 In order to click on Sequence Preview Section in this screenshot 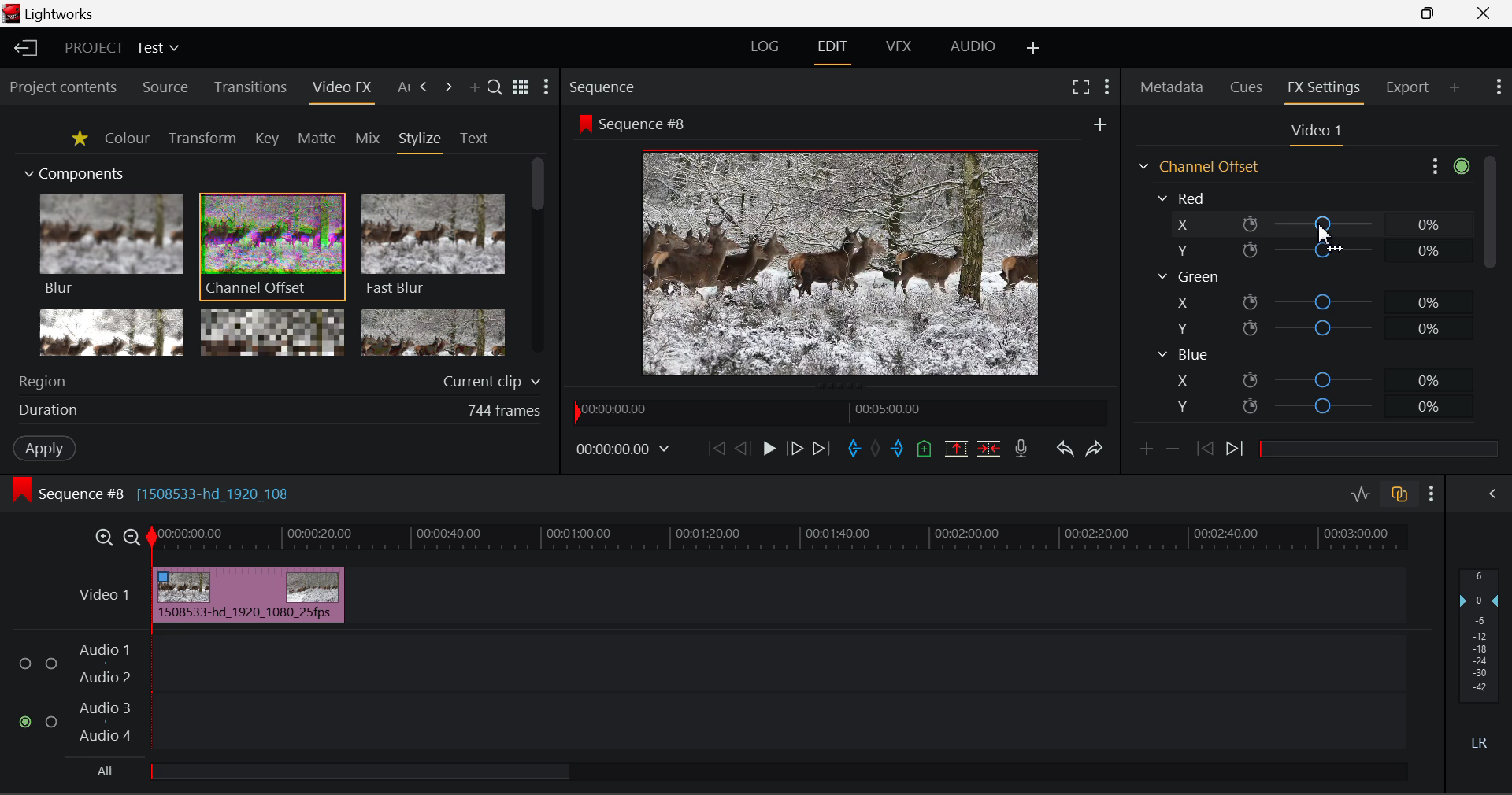, I will do `click(604, 86)`.